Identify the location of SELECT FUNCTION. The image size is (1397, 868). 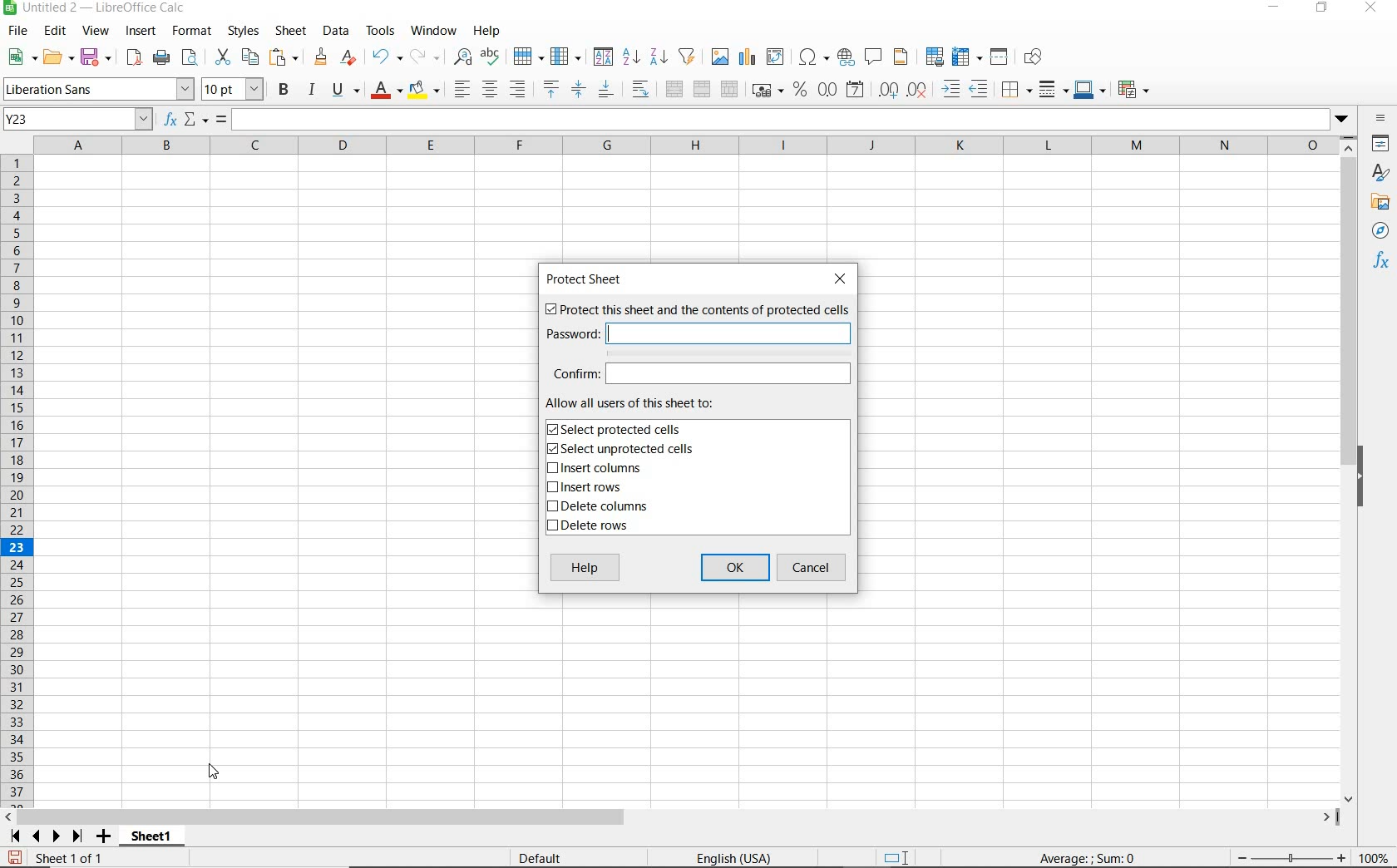
(196, 121).